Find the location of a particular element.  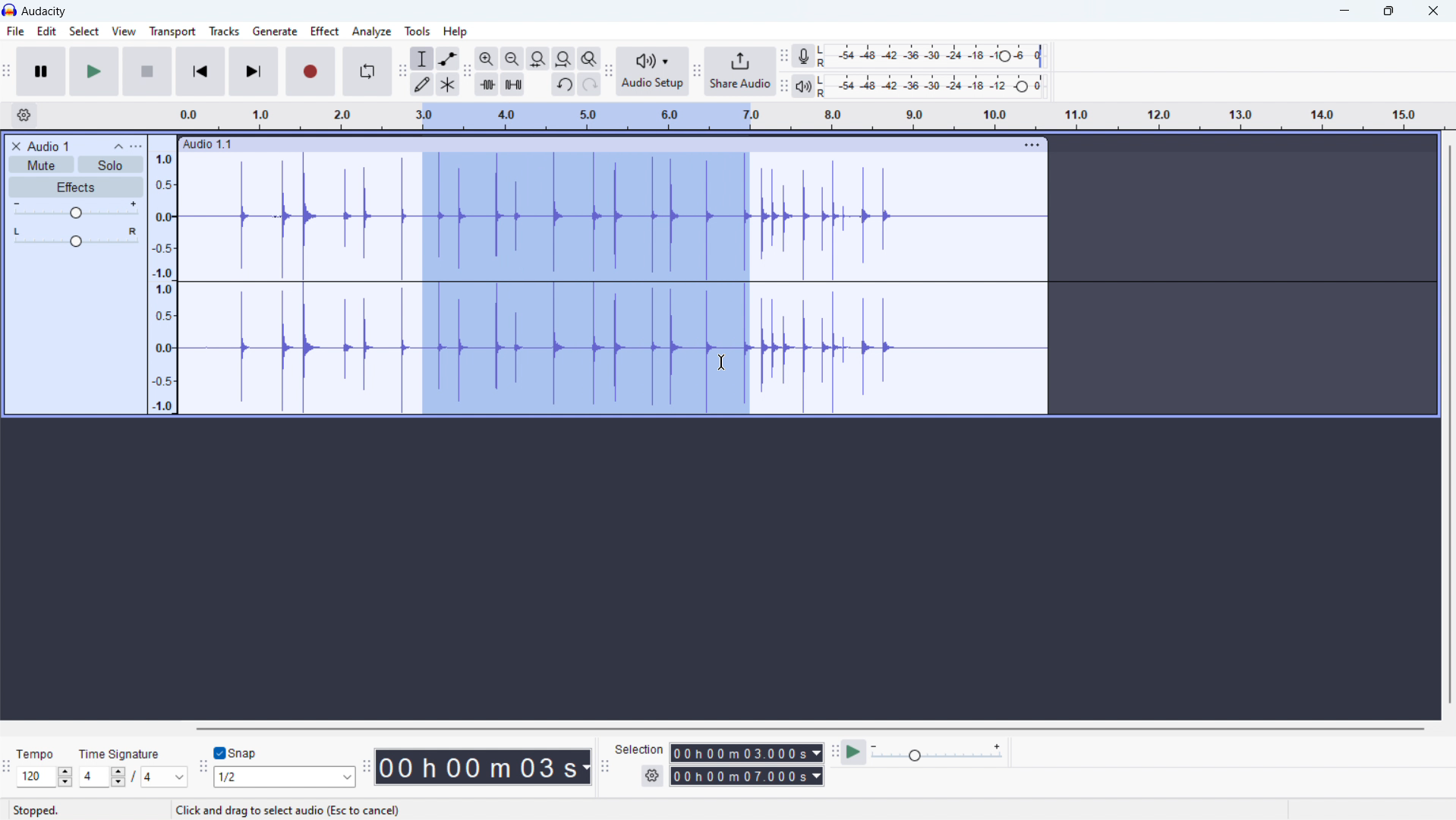

help is located at coordinates (455, 32).